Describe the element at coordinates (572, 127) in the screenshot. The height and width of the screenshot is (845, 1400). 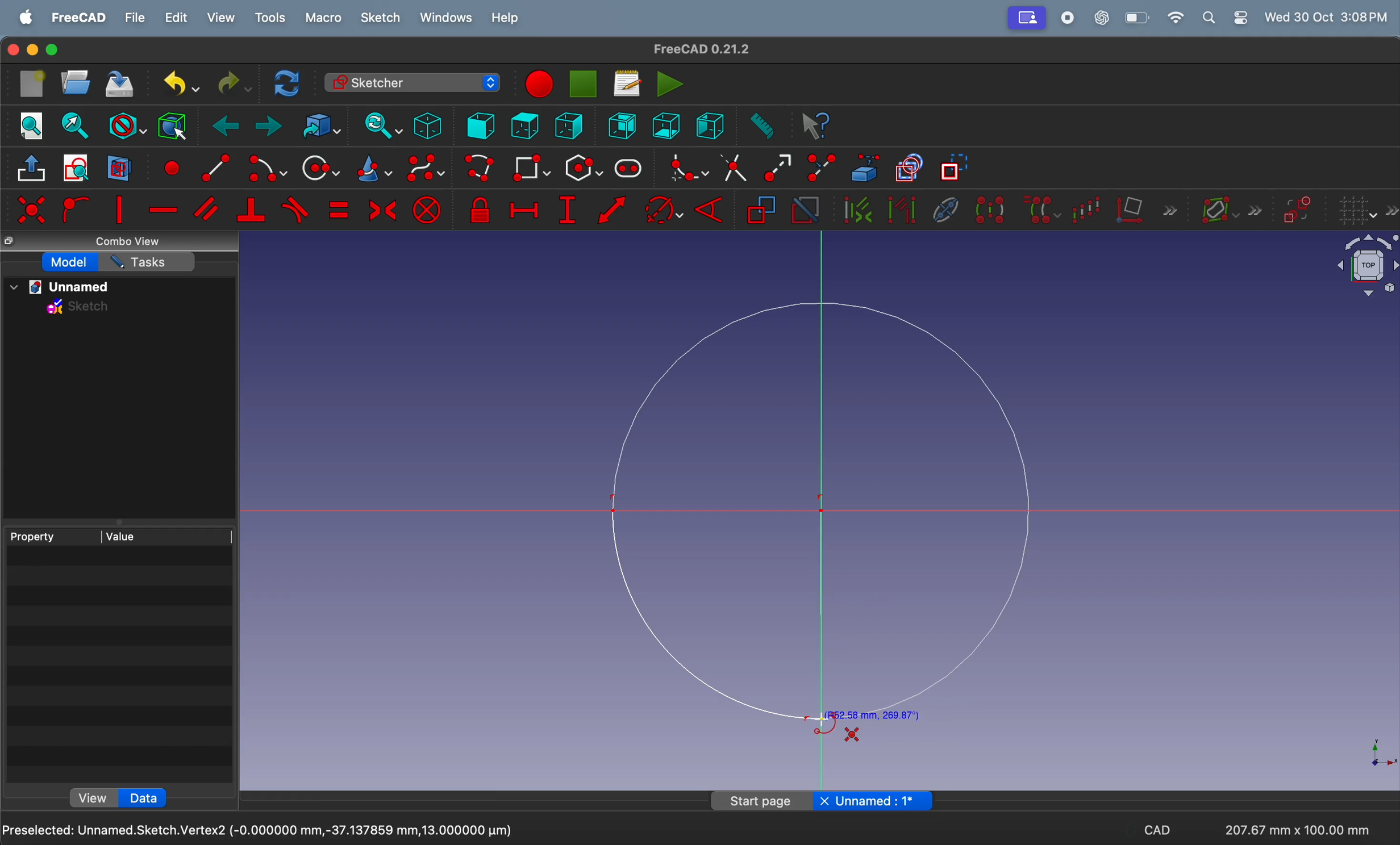
I see `left view` at that location.